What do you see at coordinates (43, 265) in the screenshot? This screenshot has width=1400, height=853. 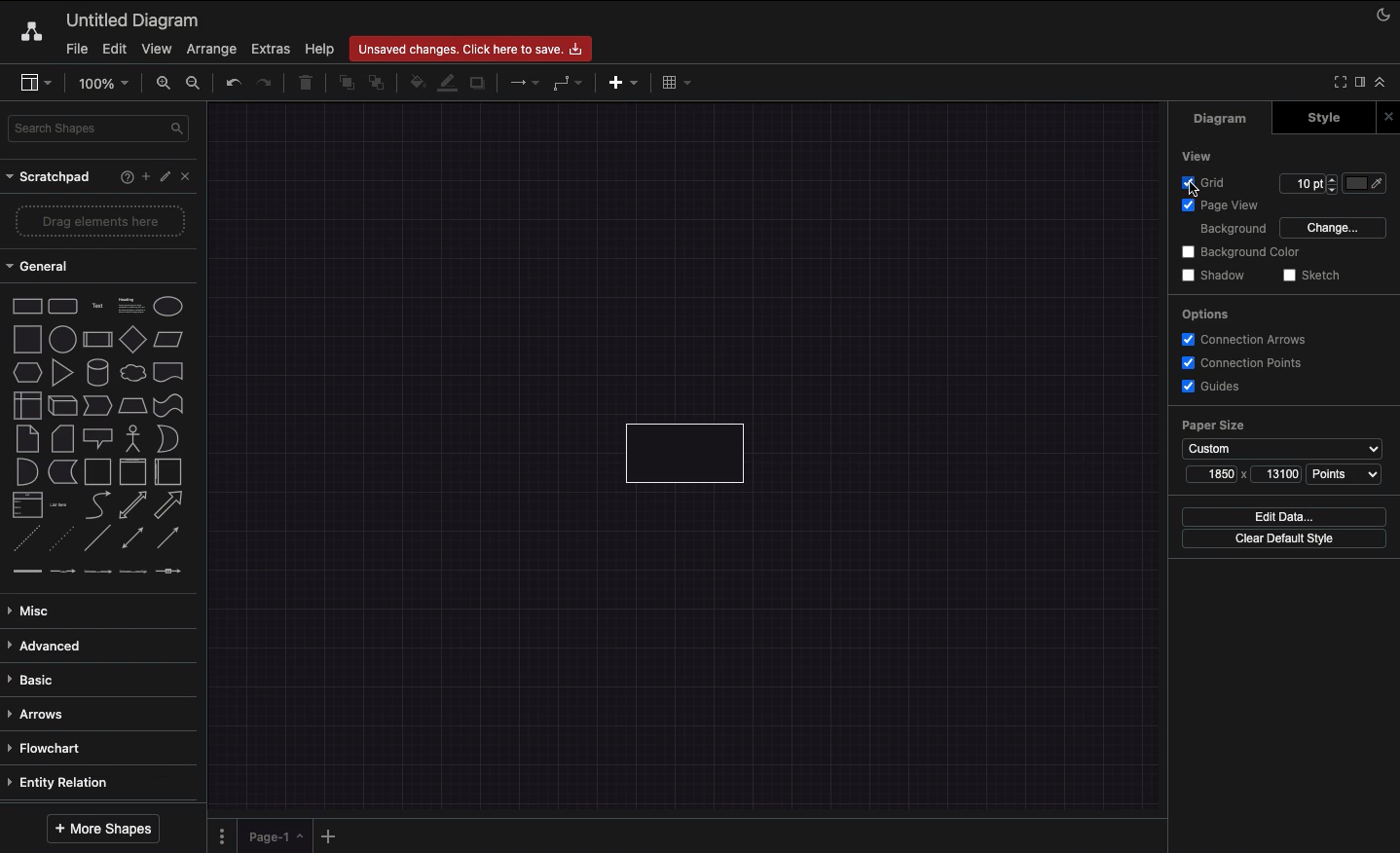 I see `General` at bounding box center [43, 265].